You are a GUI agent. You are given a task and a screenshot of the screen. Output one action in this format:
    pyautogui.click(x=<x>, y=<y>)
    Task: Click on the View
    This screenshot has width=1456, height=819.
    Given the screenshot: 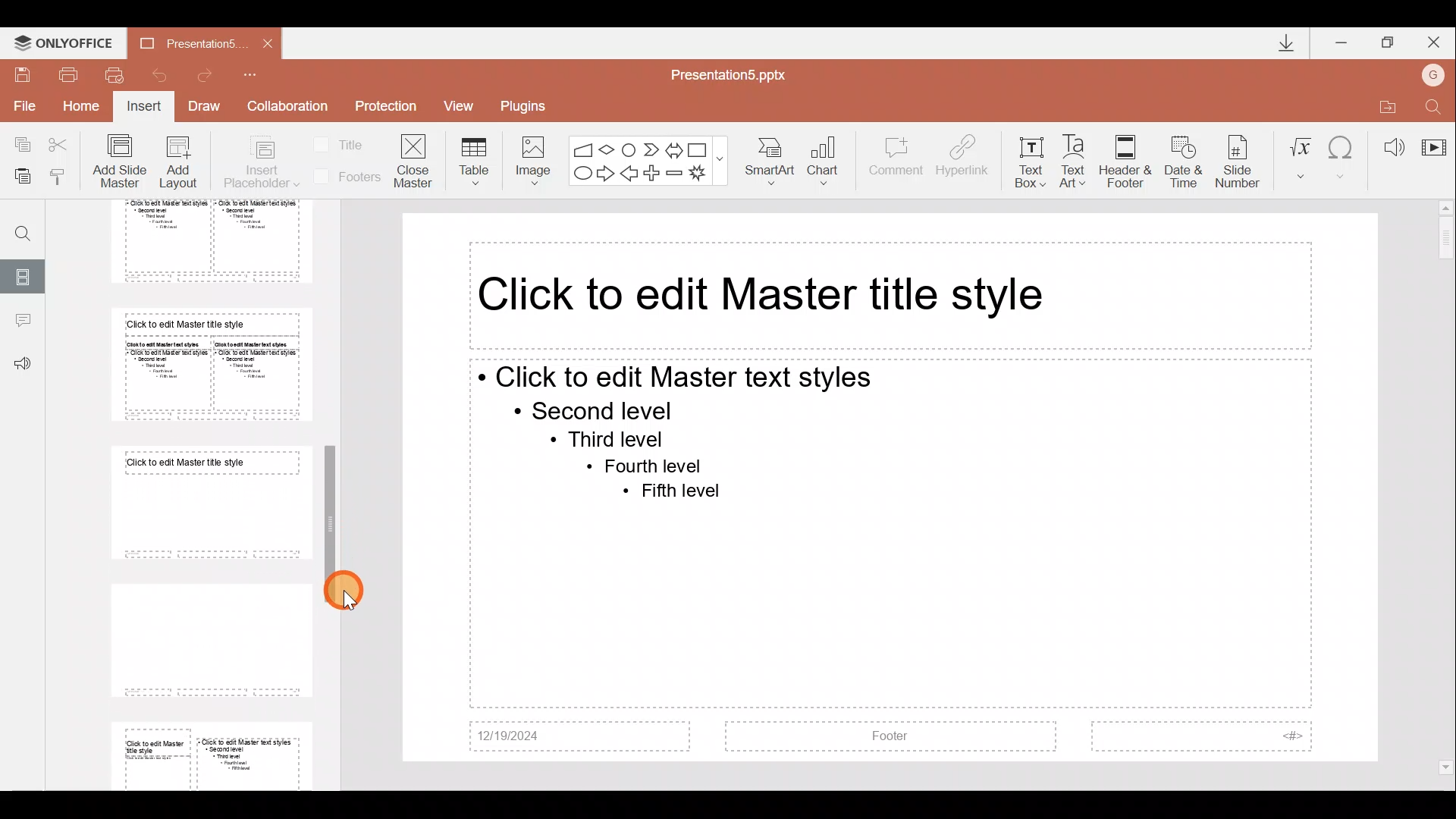 What is the action you would take?
    pyautogui.click(x=464, y=105)
    